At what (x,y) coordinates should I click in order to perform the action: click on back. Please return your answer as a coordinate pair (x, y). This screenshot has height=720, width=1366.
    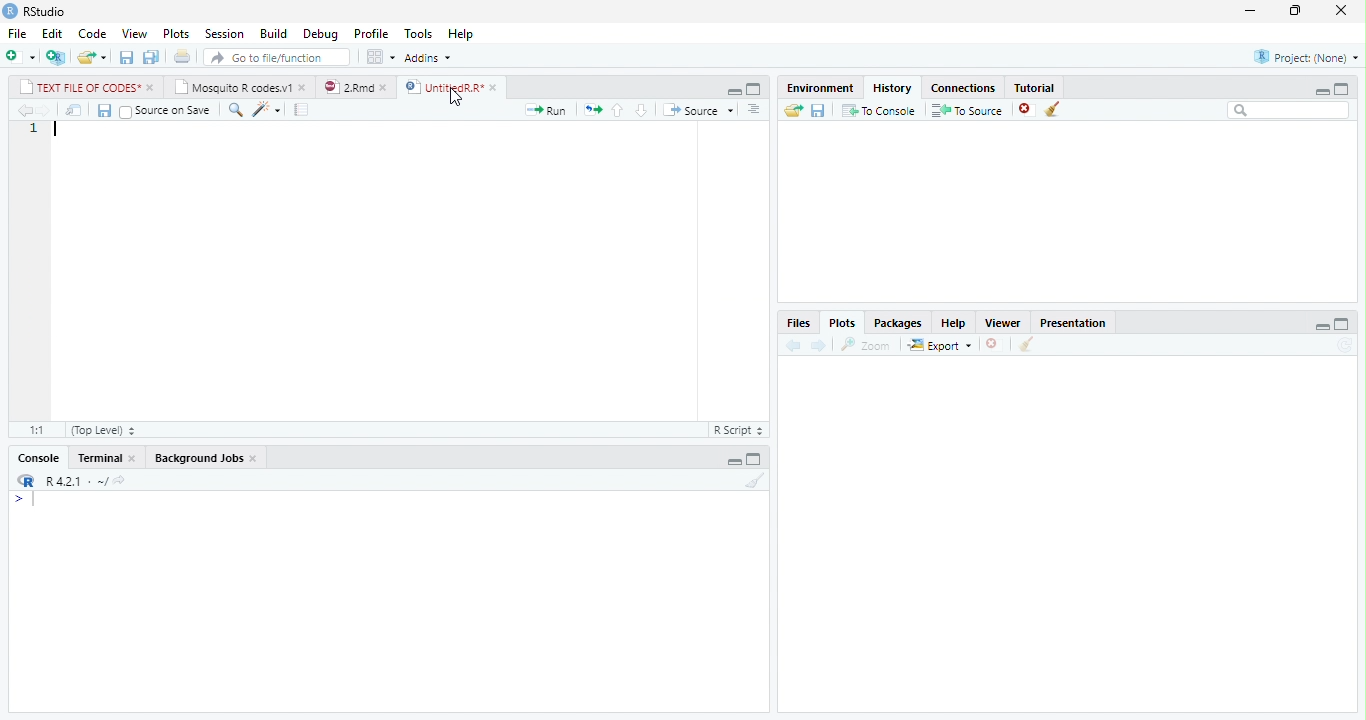
    Looking at the image, I should click on (26, 111).